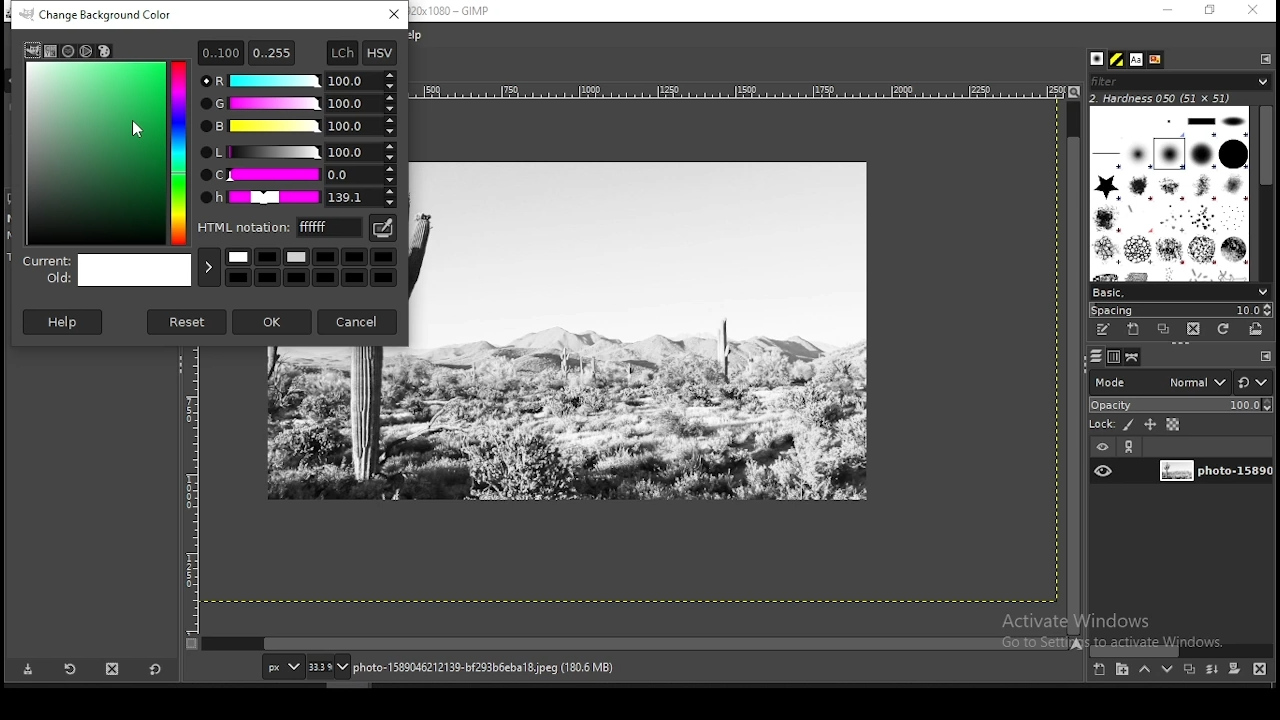  I want to click on lock alpha channel, so click(1174, 424).